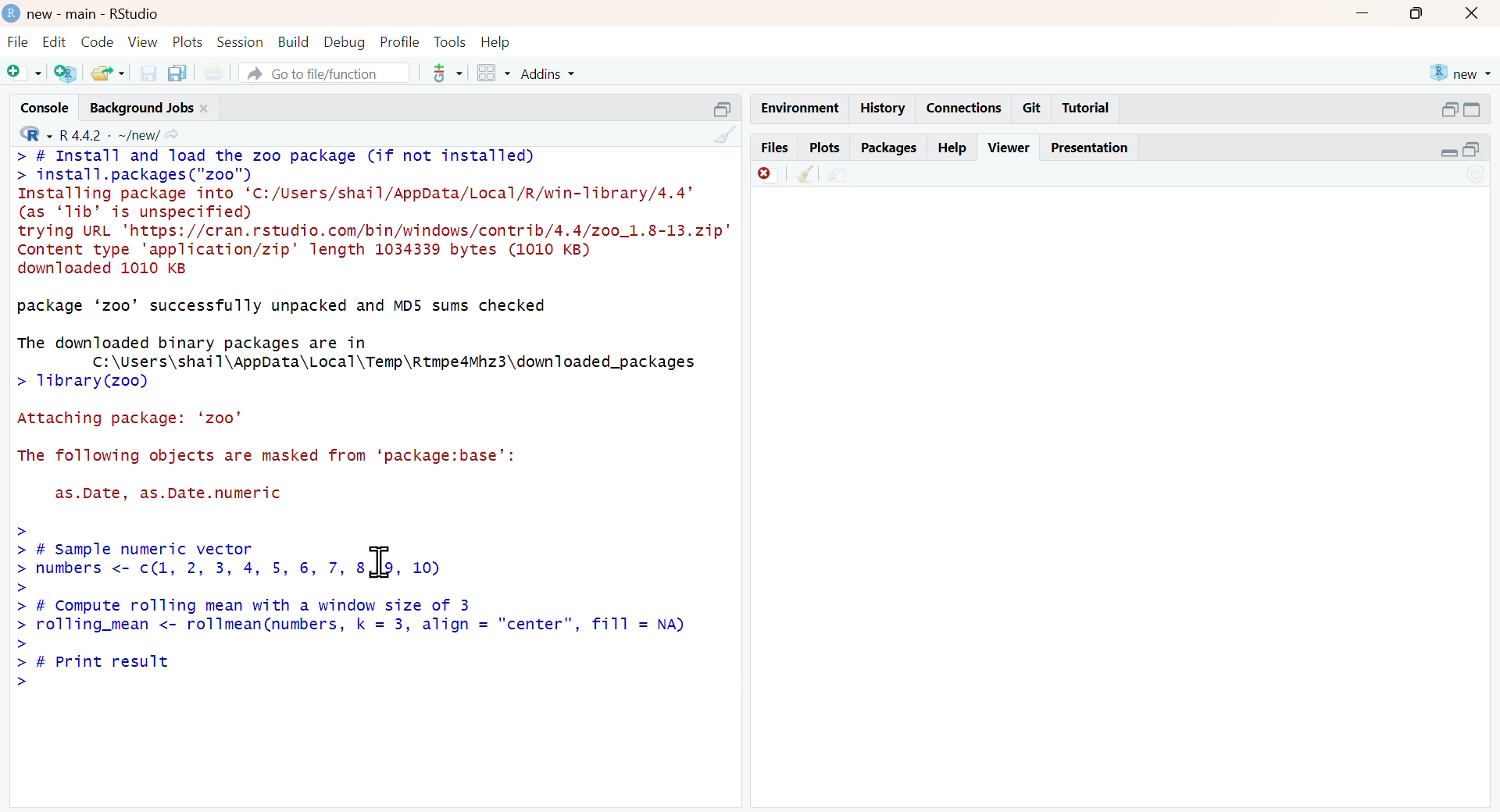  I want to click on grid, so click(496, 73).